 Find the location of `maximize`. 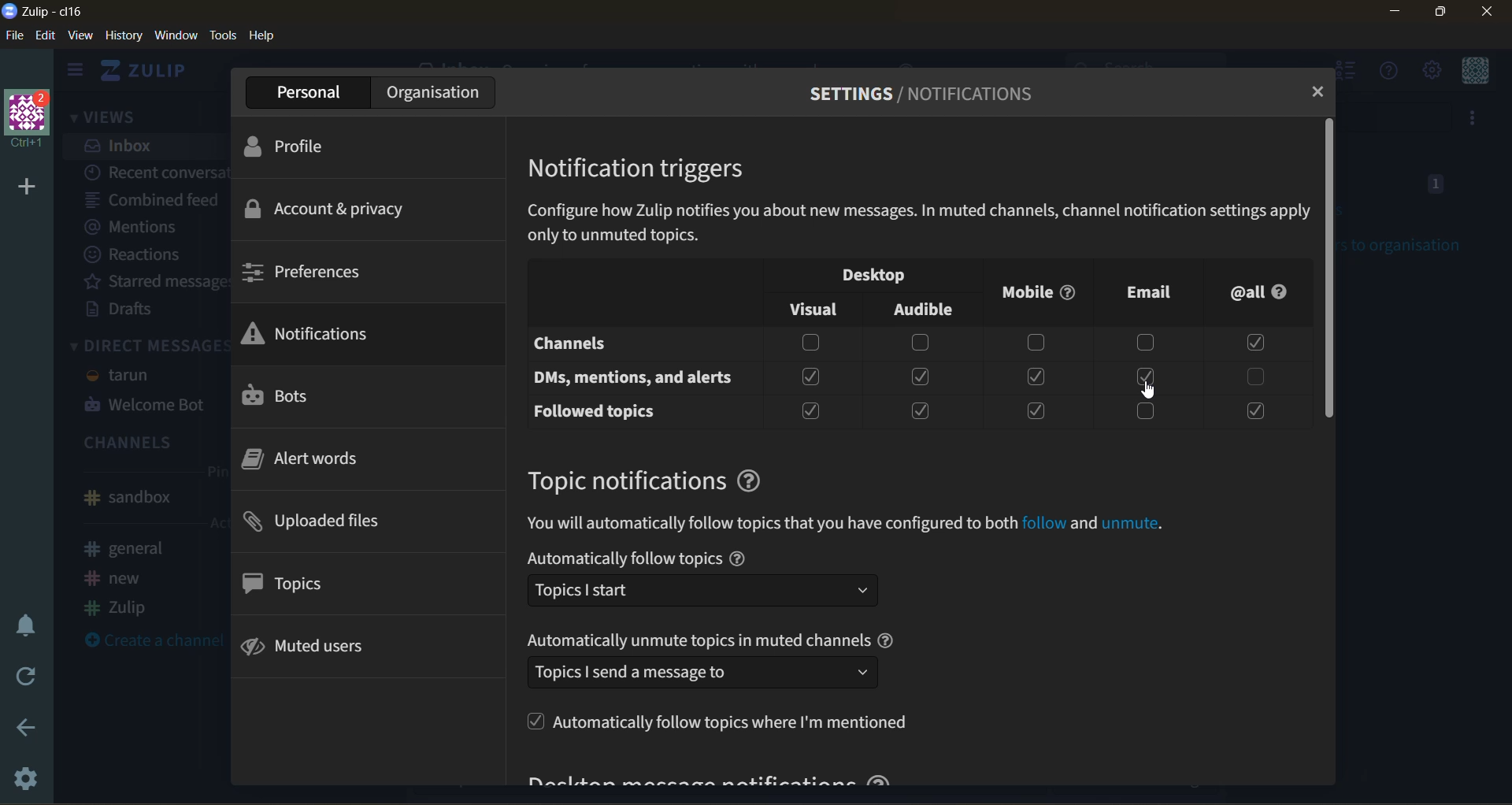

maximize is located at coordinates (1440, 15).